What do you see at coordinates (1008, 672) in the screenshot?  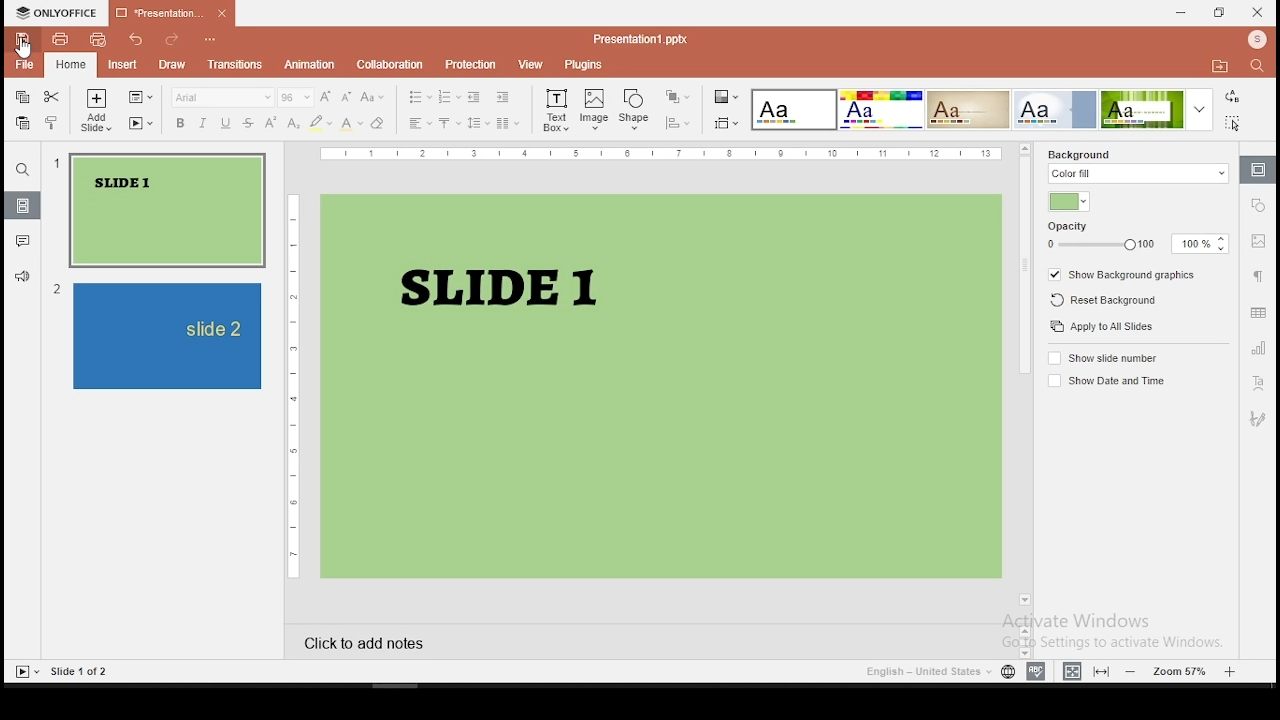 I see `Set document language` at bounding box center [1008, 672].